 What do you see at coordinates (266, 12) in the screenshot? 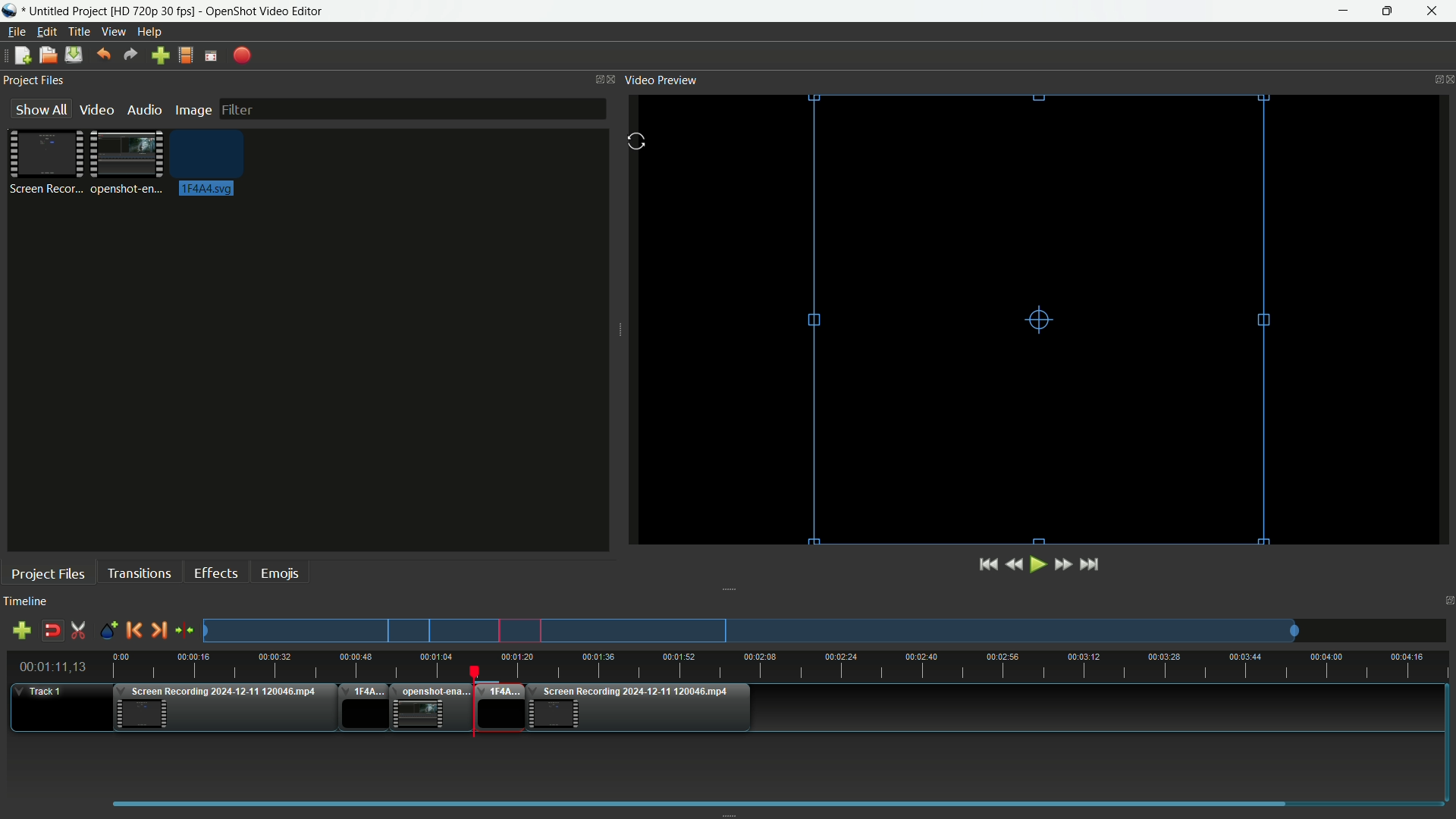
I see `App name` at bounding box center [266, 12].